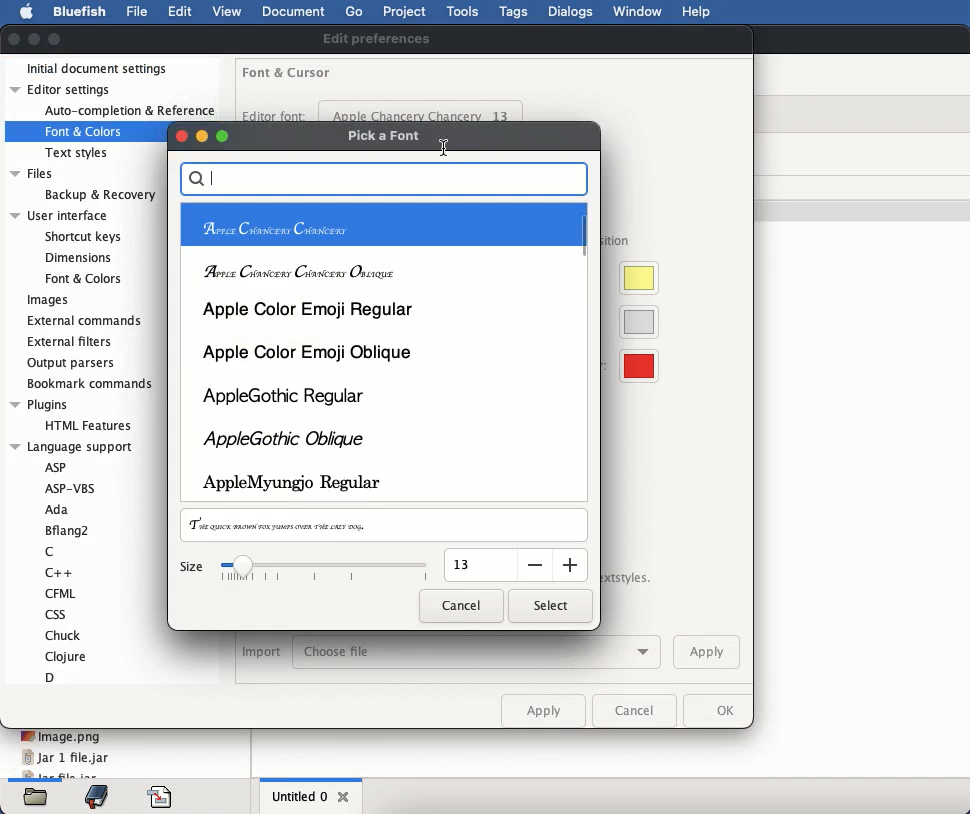 This screenshot has height=814, width=970. I want to click on apple color emoji oblique, so click(304, 352).